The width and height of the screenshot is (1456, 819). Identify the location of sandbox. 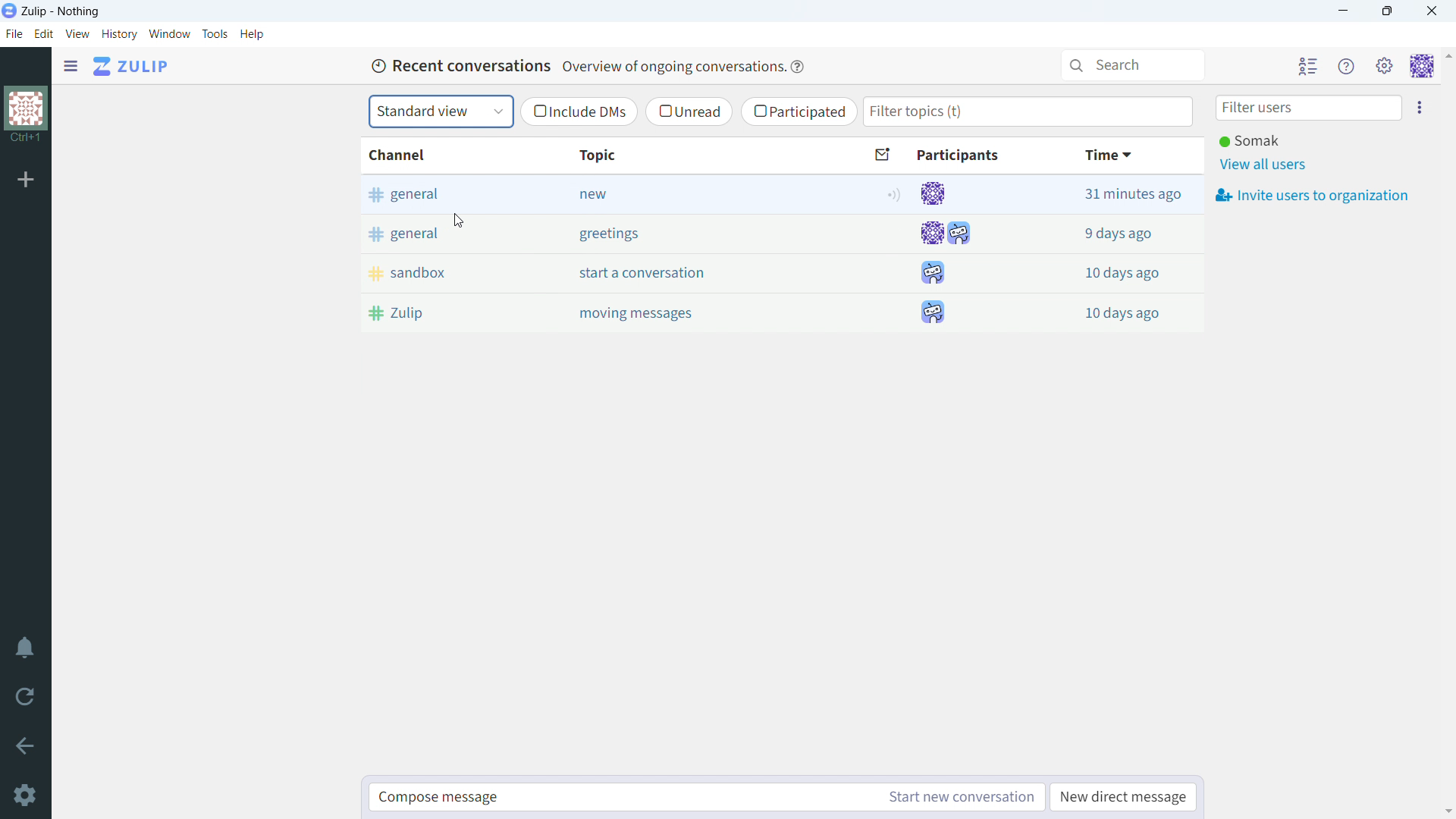
(445, 271).